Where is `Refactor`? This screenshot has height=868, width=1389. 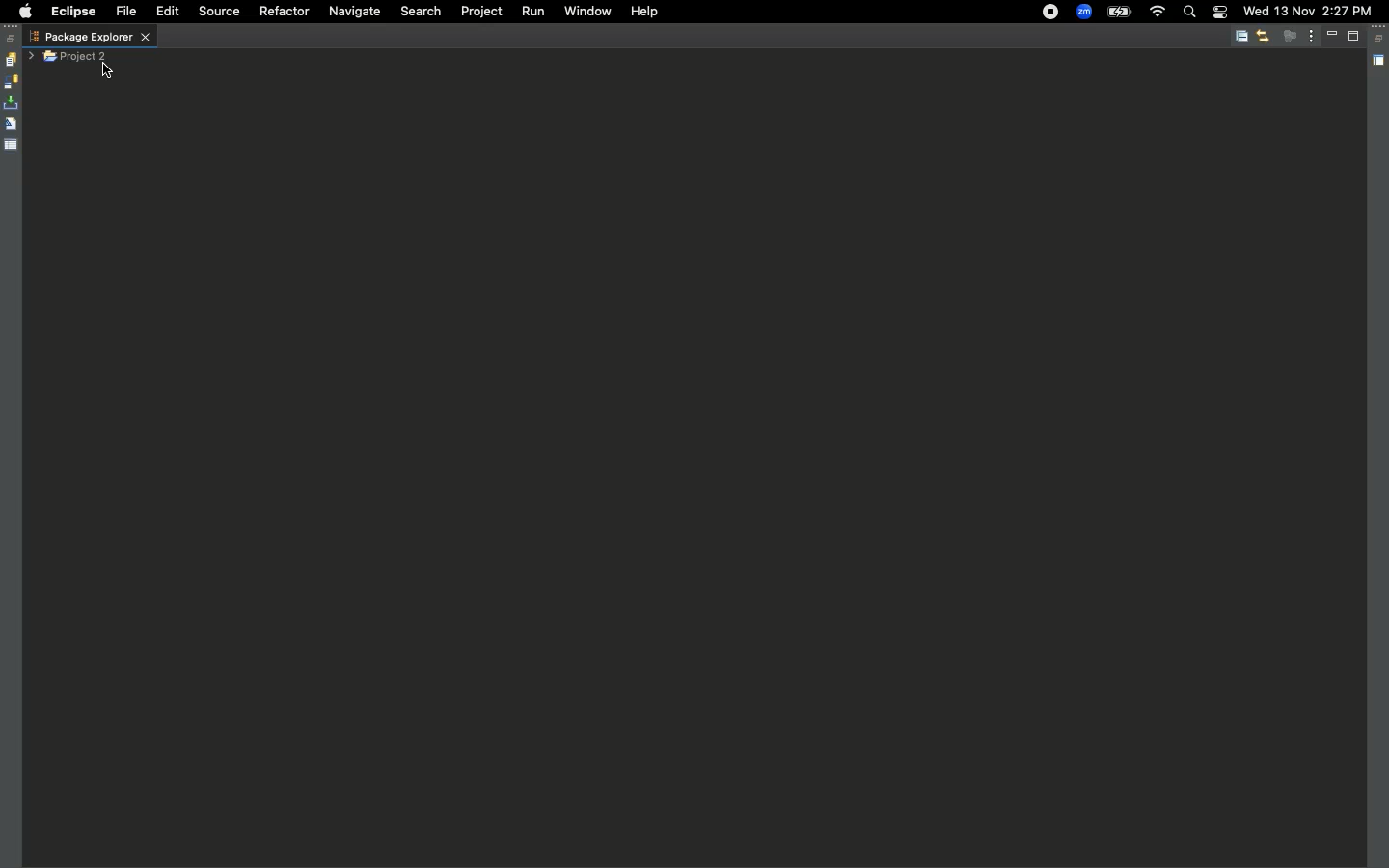 Refactor is located at coordinates (283, 12).